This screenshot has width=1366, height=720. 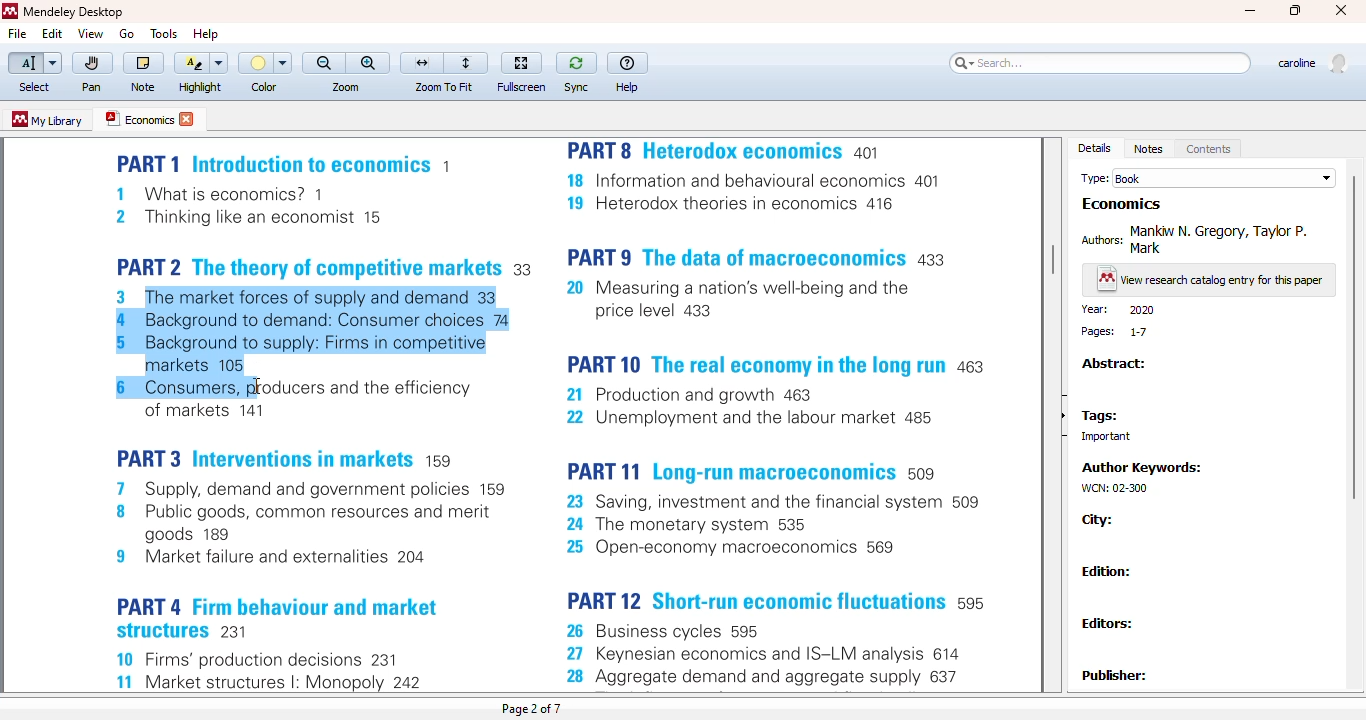 What do you see at coordinates (530, 708) in the screenshot?
I see `page 2 of 7` at bounding box center [530, 708].